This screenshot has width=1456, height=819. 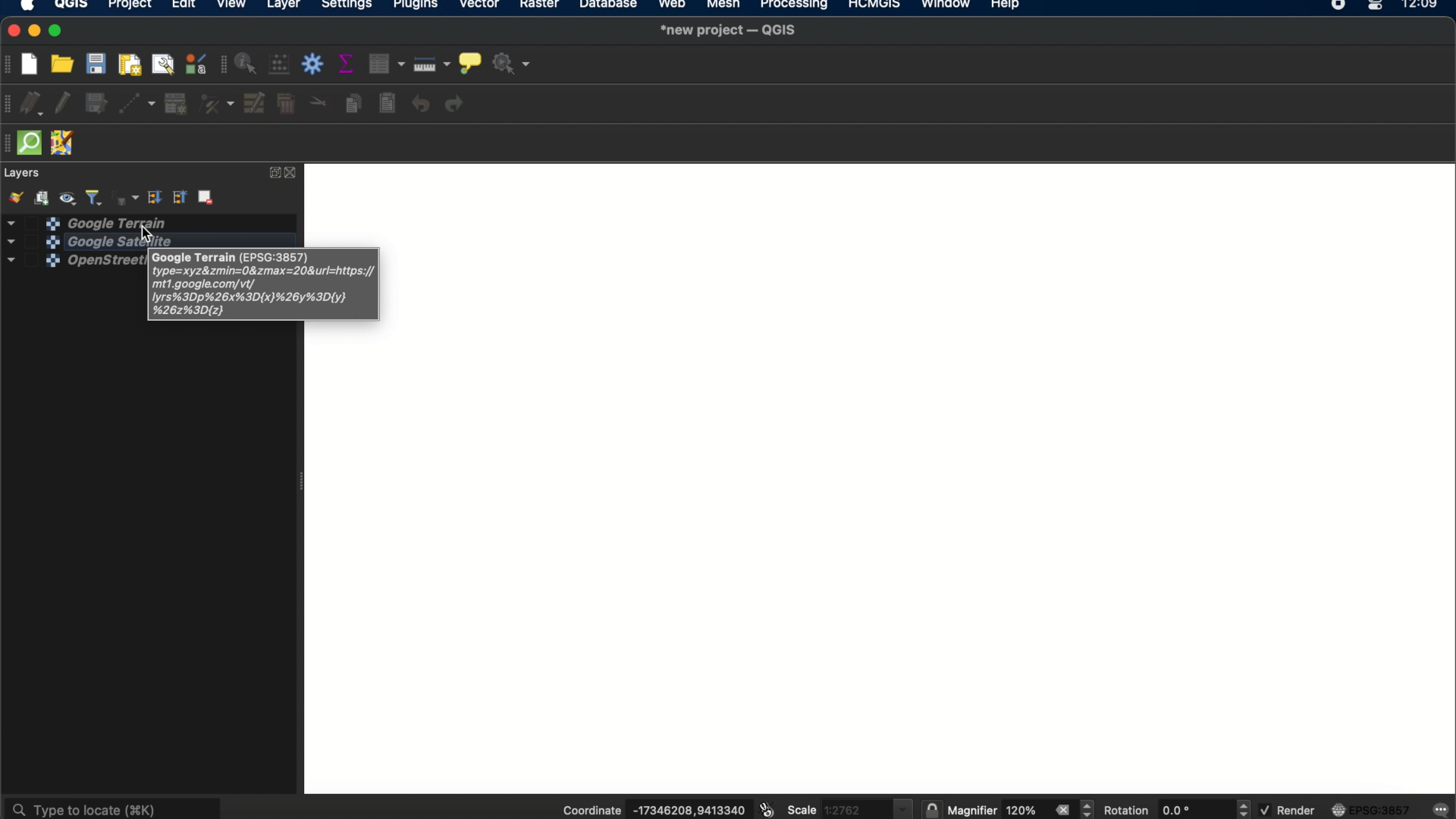 What do you see at coordinates (129, 6) in the screenshot?
I see `project` at bounding box center [129, 6].